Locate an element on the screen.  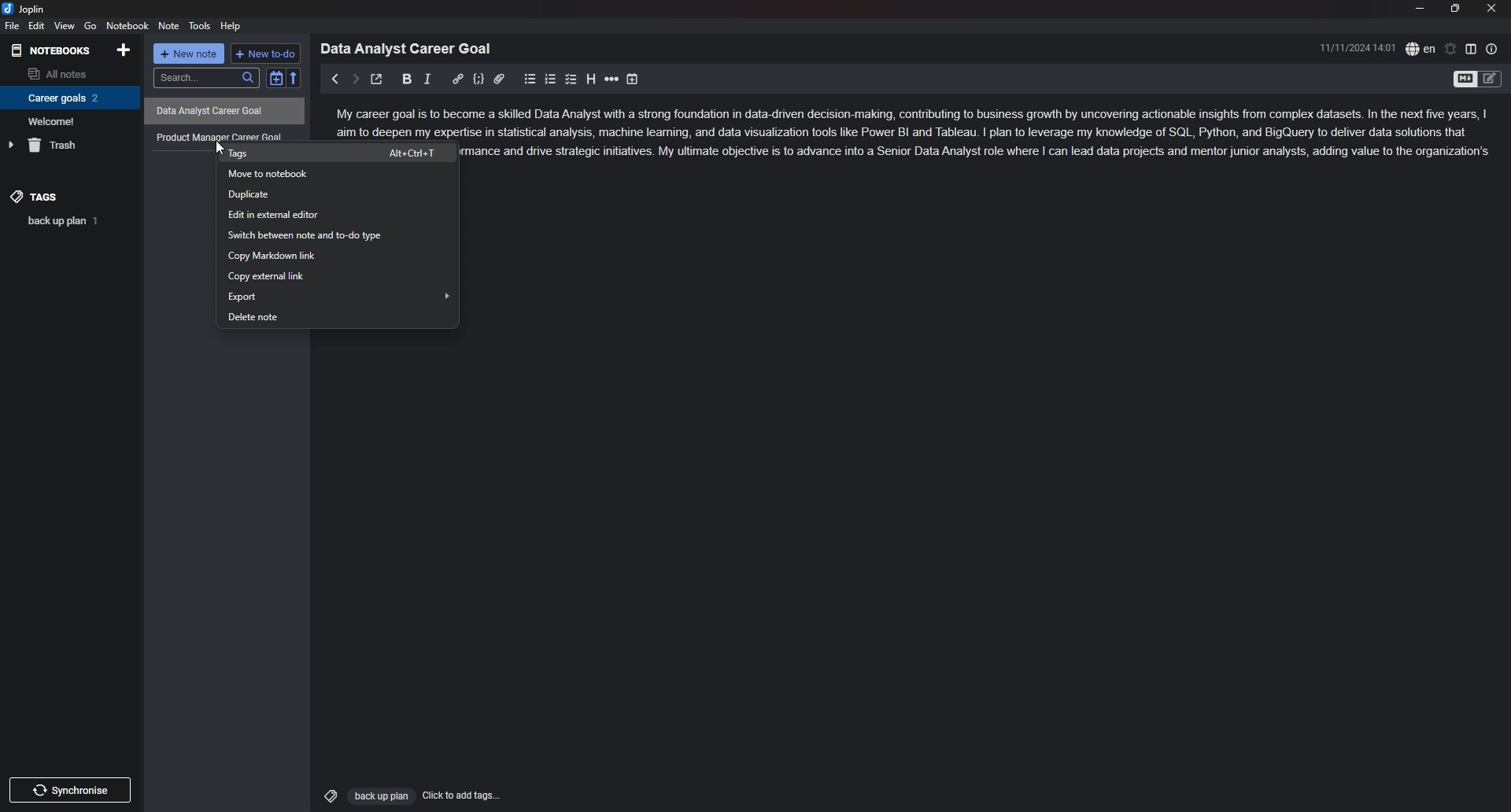
minimize is located at coordinates (1419, 8).